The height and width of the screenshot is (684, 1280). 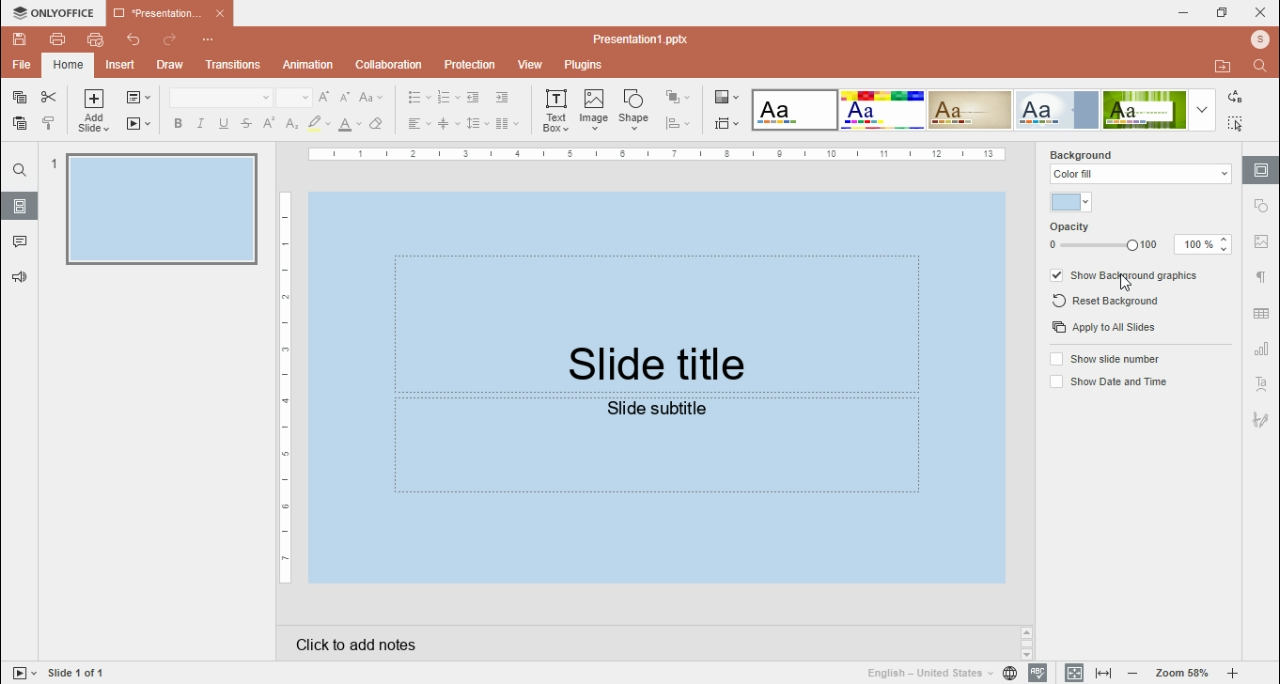 What do you see at coordinates (727, 123) in the screenshot?
I see `select slide size` at bounding box center [727, 123].